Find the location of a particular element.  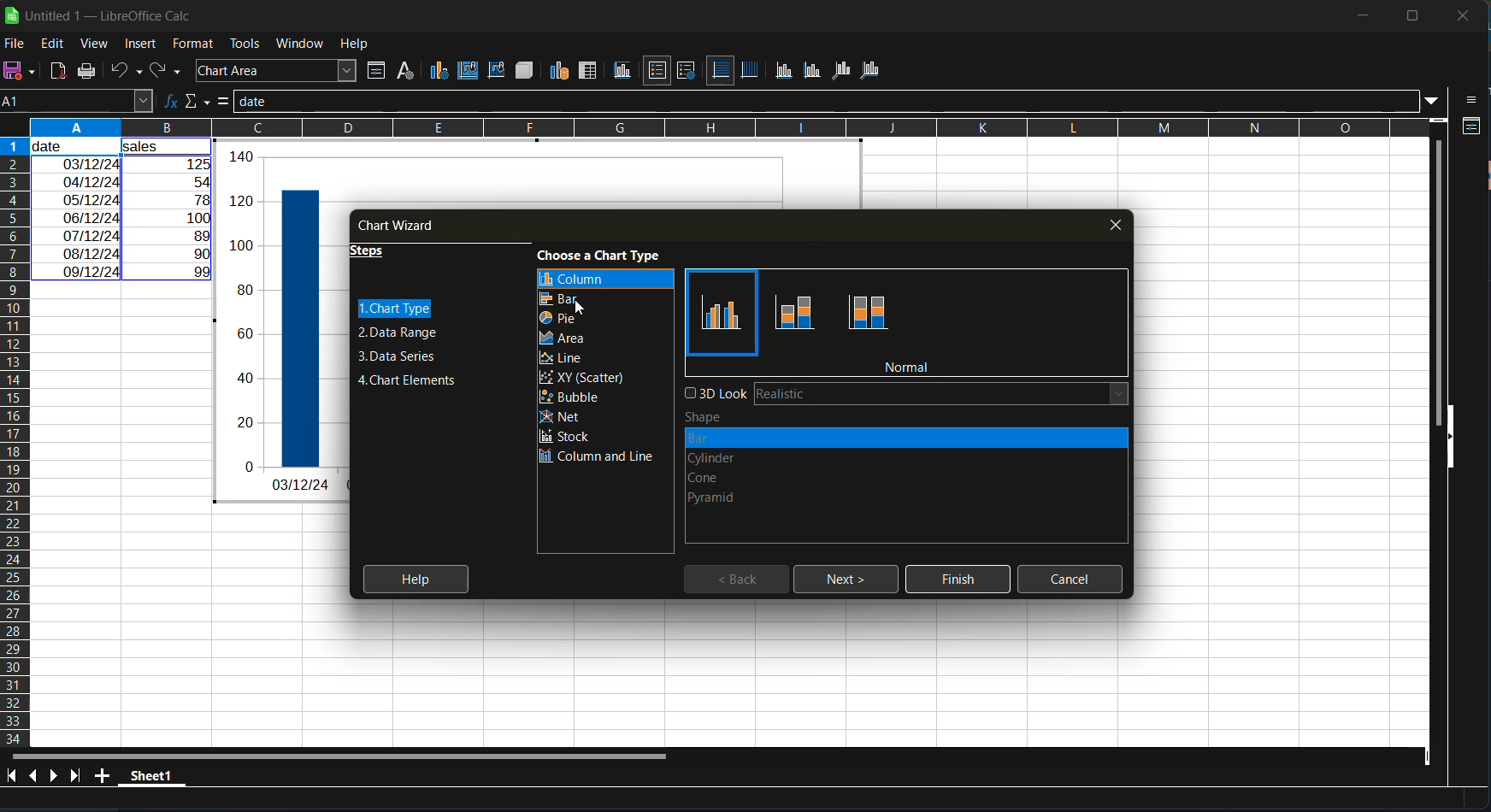

add a new sheet is located at coordinates (102, 775).